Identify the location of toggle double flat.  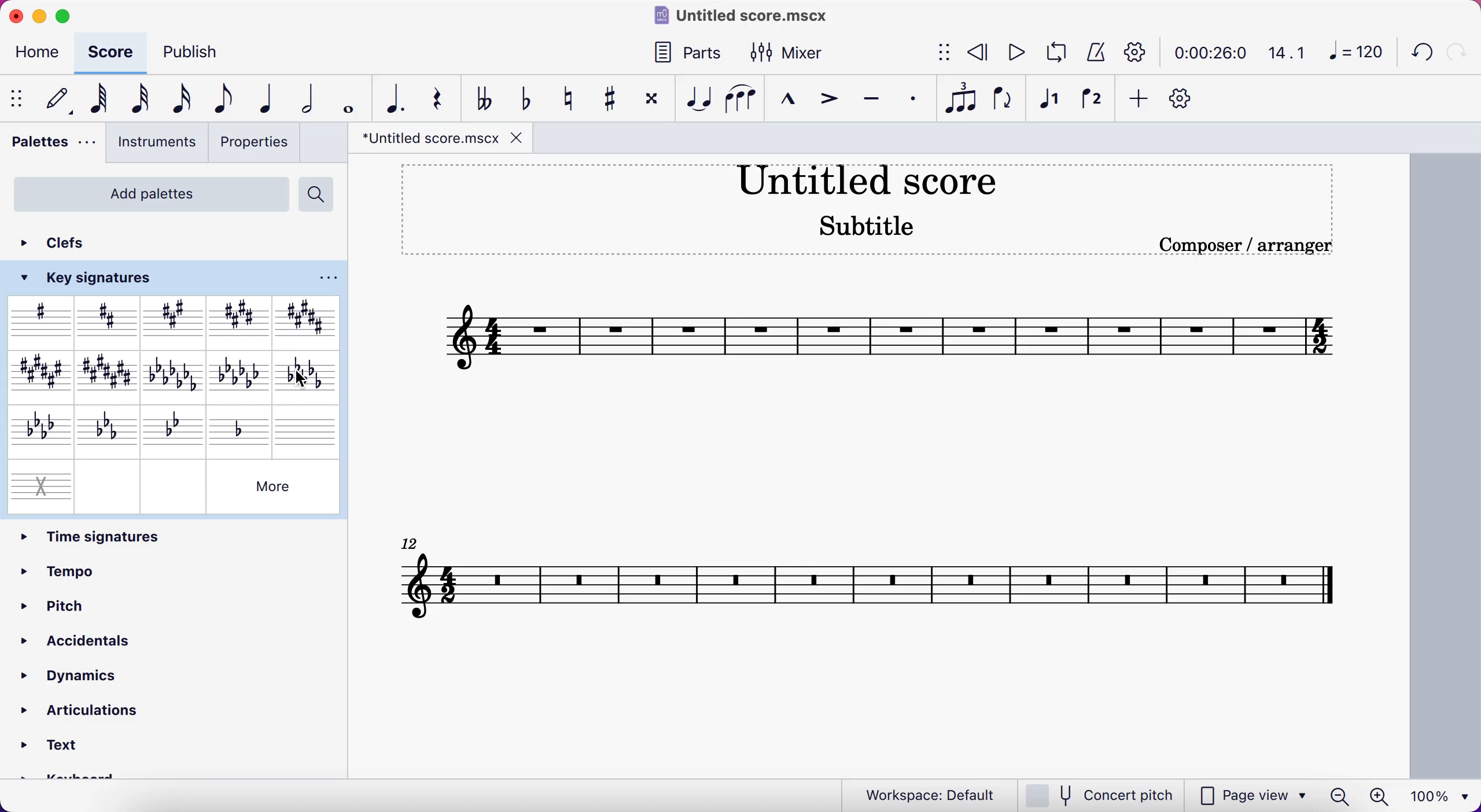
(488, 97).